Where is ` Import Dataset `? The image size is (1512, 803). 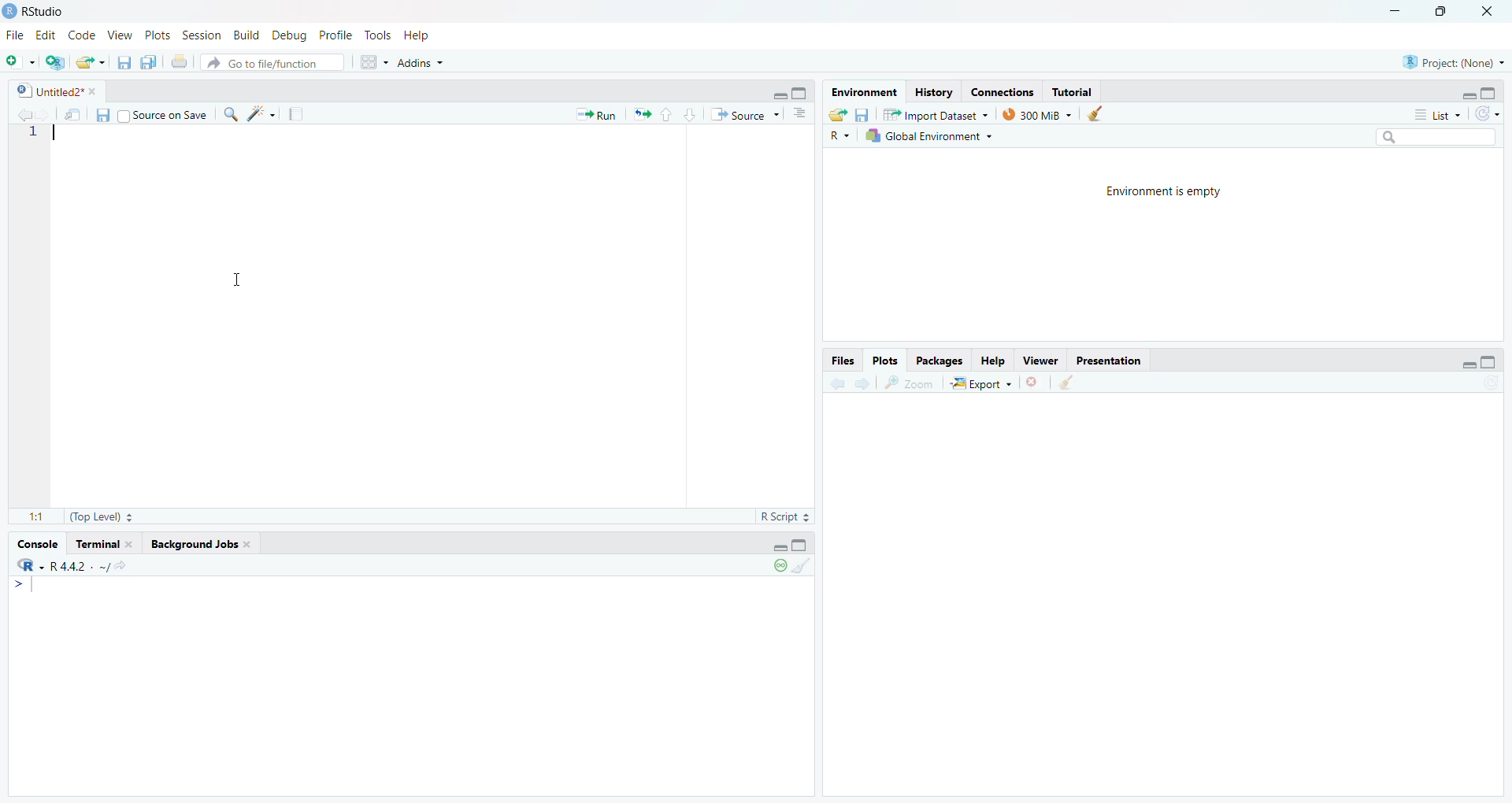
 Import Dataset  is located at coordinates (937, 115).